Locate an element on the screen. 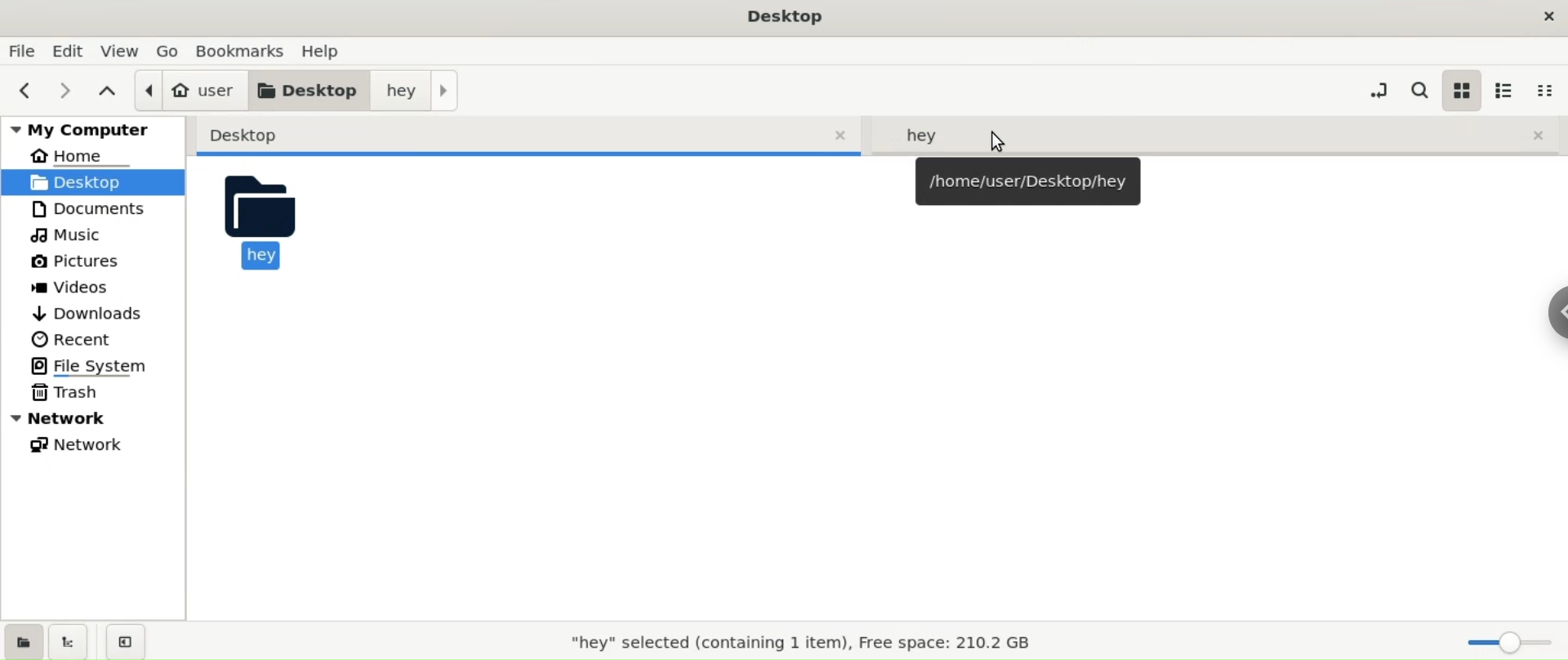 Image resolution: width=1568 pixels, height=660 pixels. view is located at coordinates (118, 49).